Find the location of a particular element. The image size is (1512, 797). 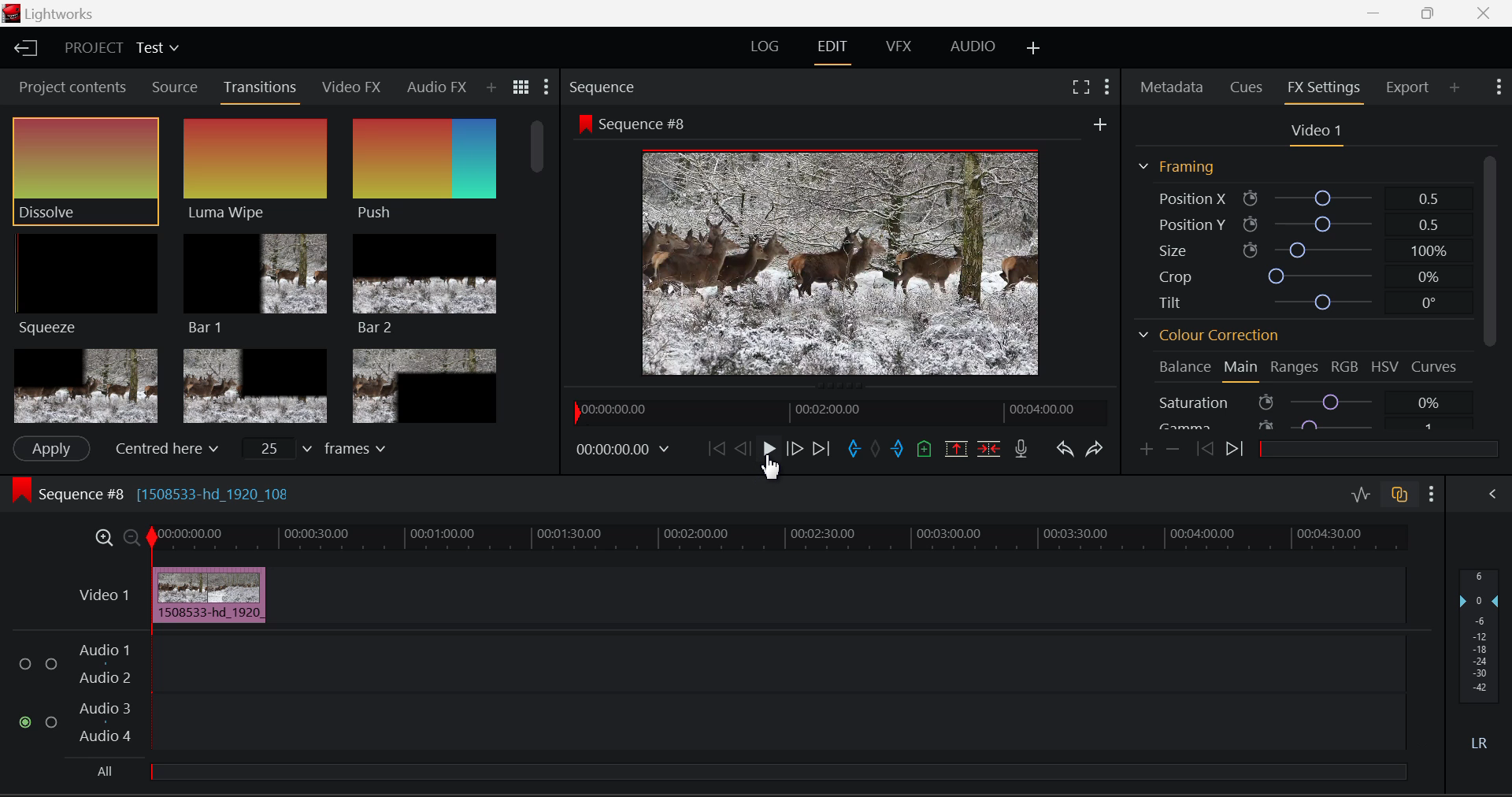

Balance is located at coordinates (1180, 367).